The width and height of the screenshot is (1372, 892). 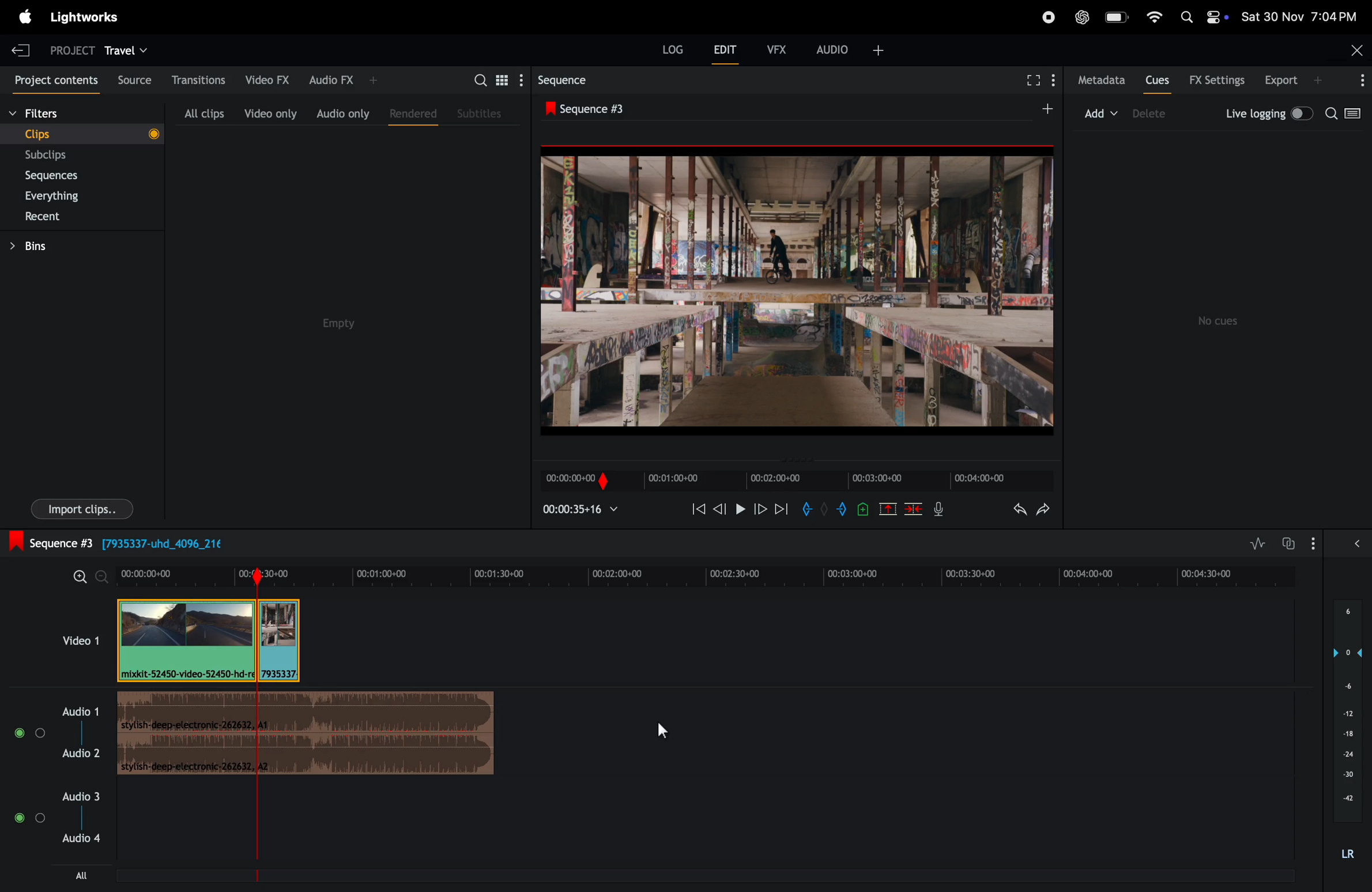 What do you see at coordinates (1344, 799) in the screenshot?
I see `-42 (layers)` at bounding box center [1344, 799].